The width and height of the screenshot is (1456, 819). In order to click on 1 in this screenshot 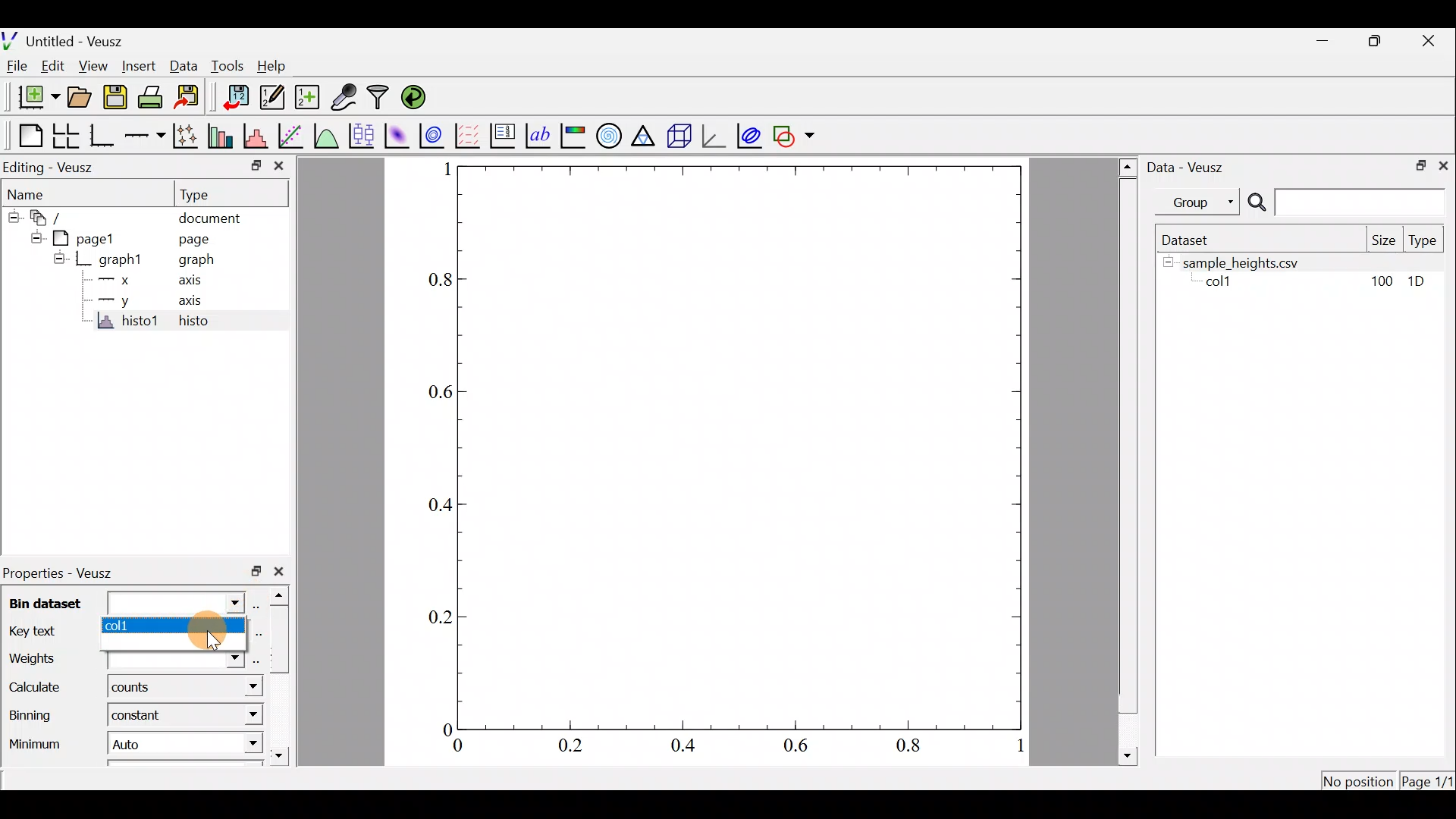, I will do `click(438, 170)`.